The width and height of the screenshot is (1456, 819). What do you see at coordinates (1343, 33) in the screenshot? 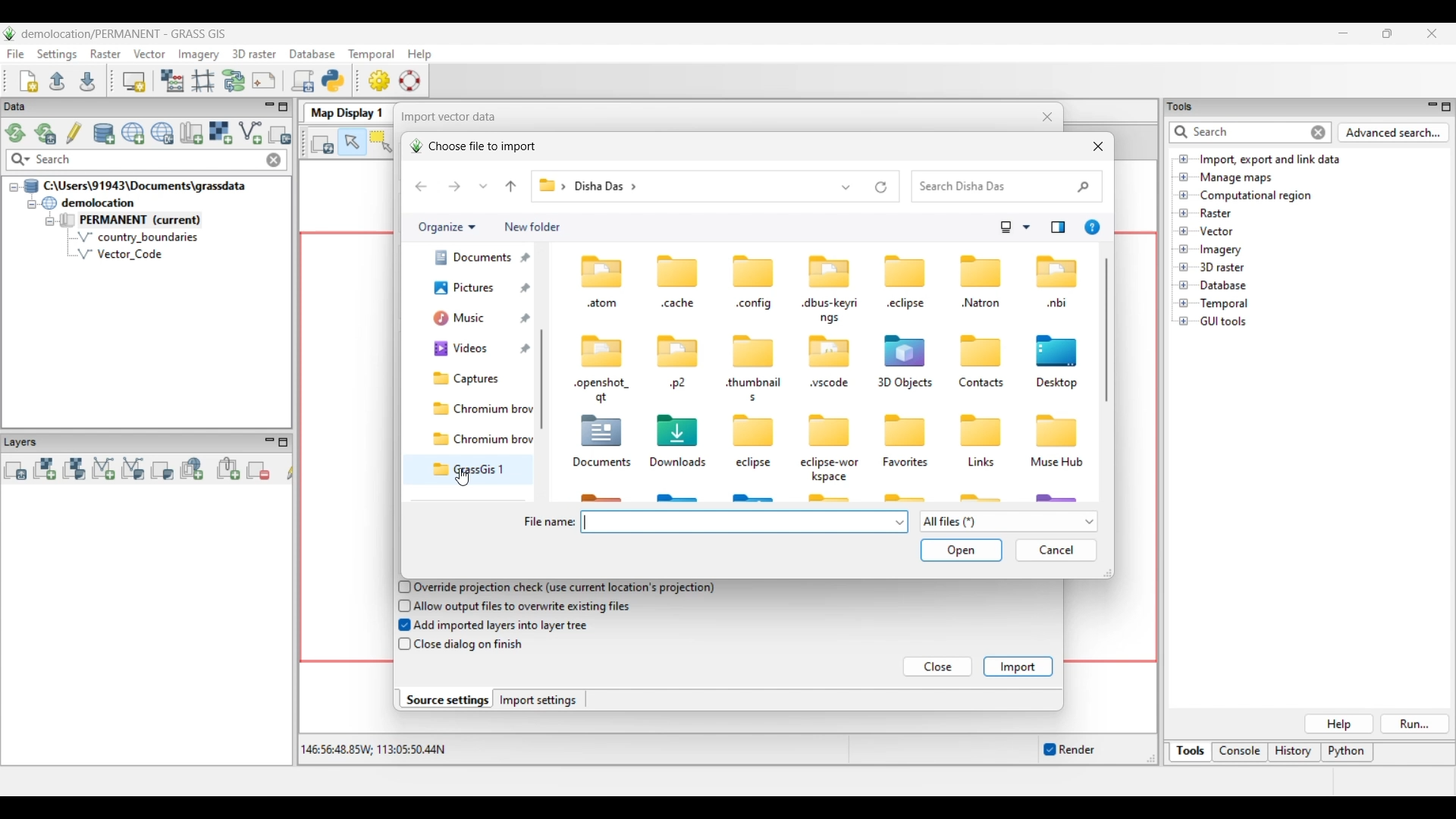
I see `Minimize` at bounding box center [1343, 33].